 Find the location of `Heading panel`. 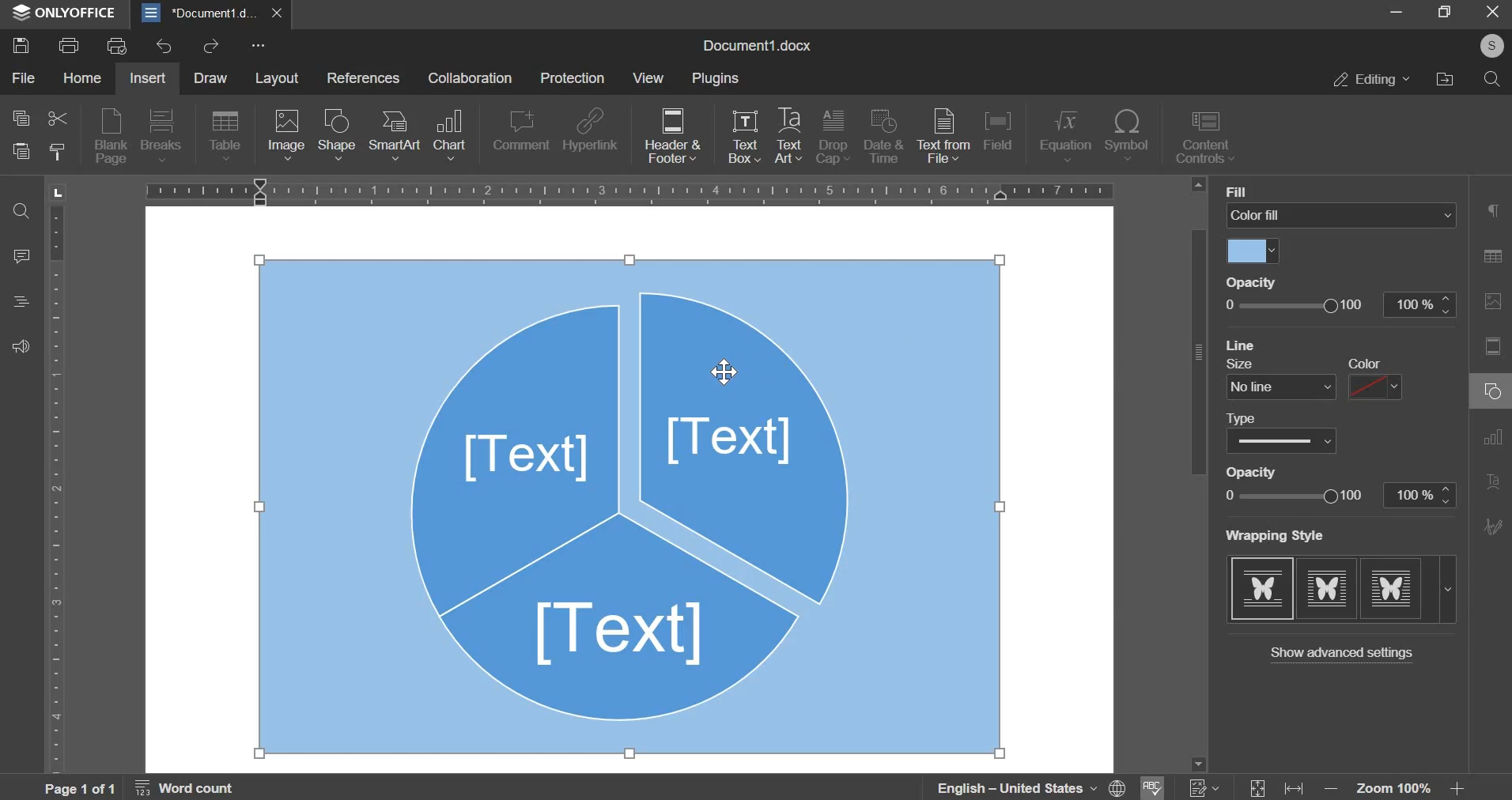

Heading panel is located at coordinates (25, 300).